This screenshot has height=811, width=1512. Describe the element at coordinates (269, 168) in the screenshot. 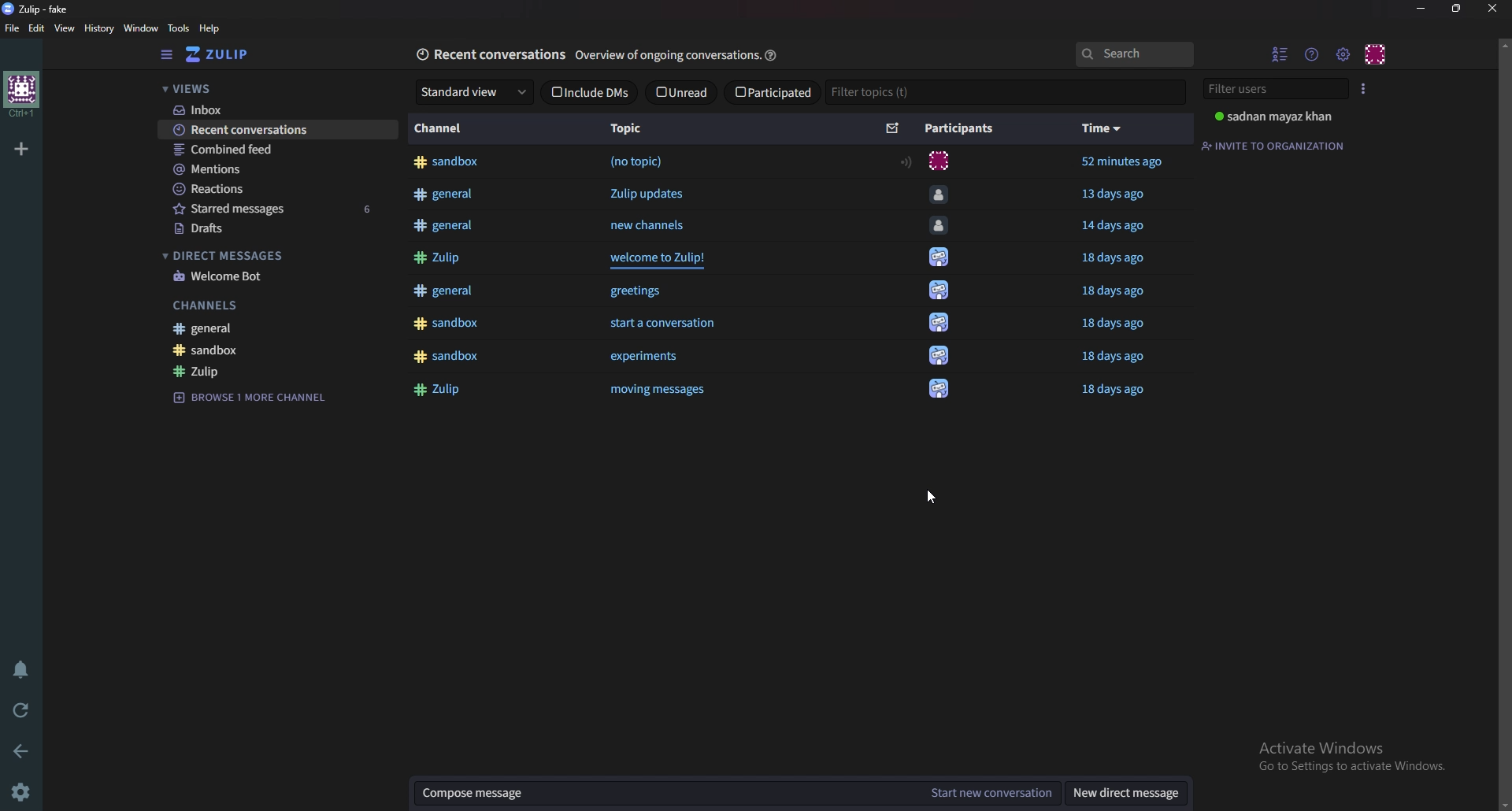

I see `Mentions` at that location.